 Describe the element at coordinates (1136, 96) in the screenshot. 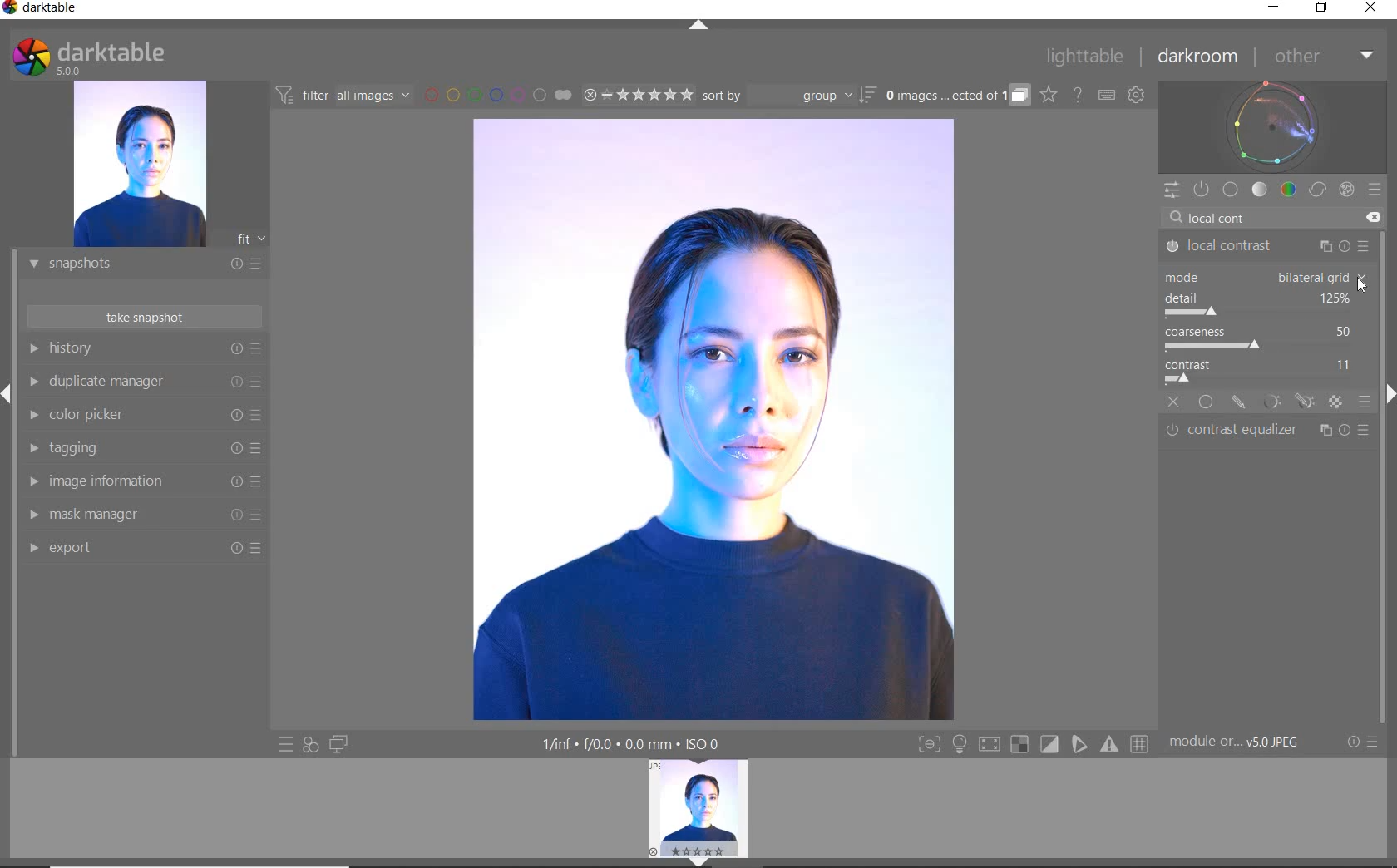

I see `SHOW GLOBAL PREFERENCES` at that location.